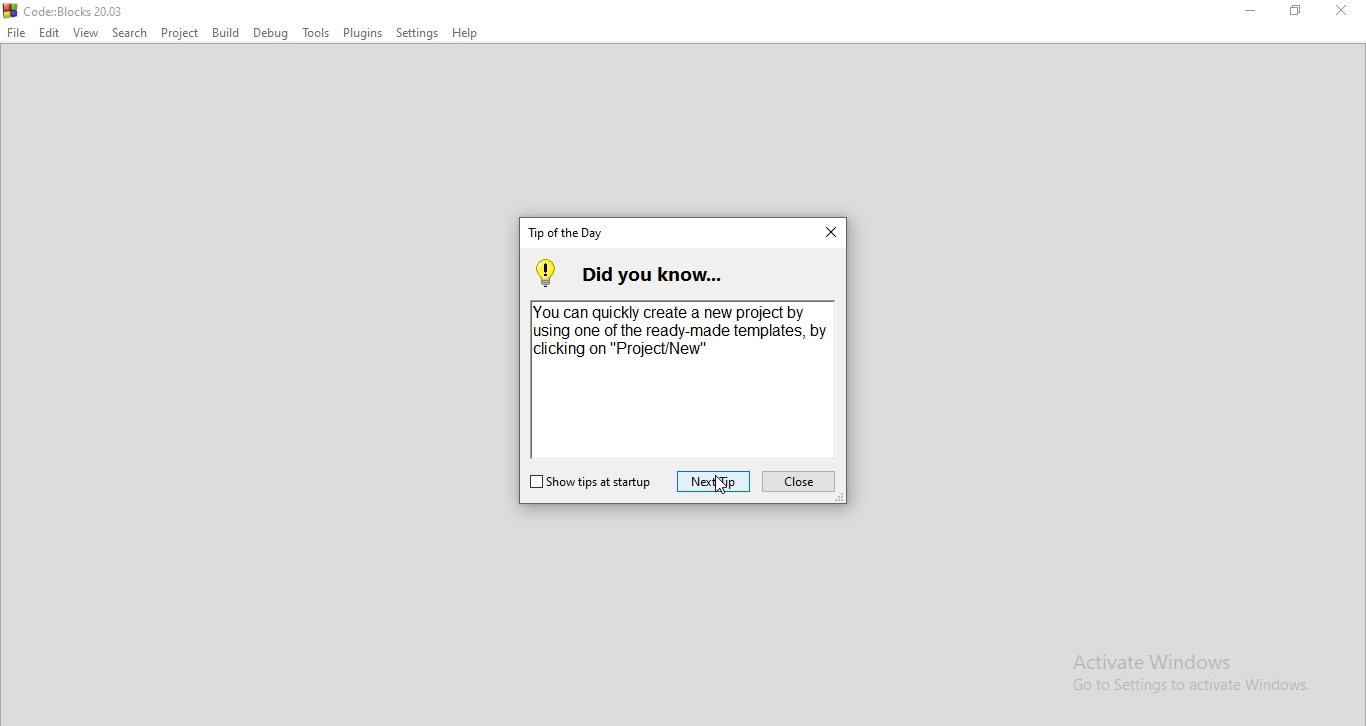 This screenshot has width=1366, height=726. Describe the element at coordinates (1297, 13) in the screenshot. I see `Restore` at that location.